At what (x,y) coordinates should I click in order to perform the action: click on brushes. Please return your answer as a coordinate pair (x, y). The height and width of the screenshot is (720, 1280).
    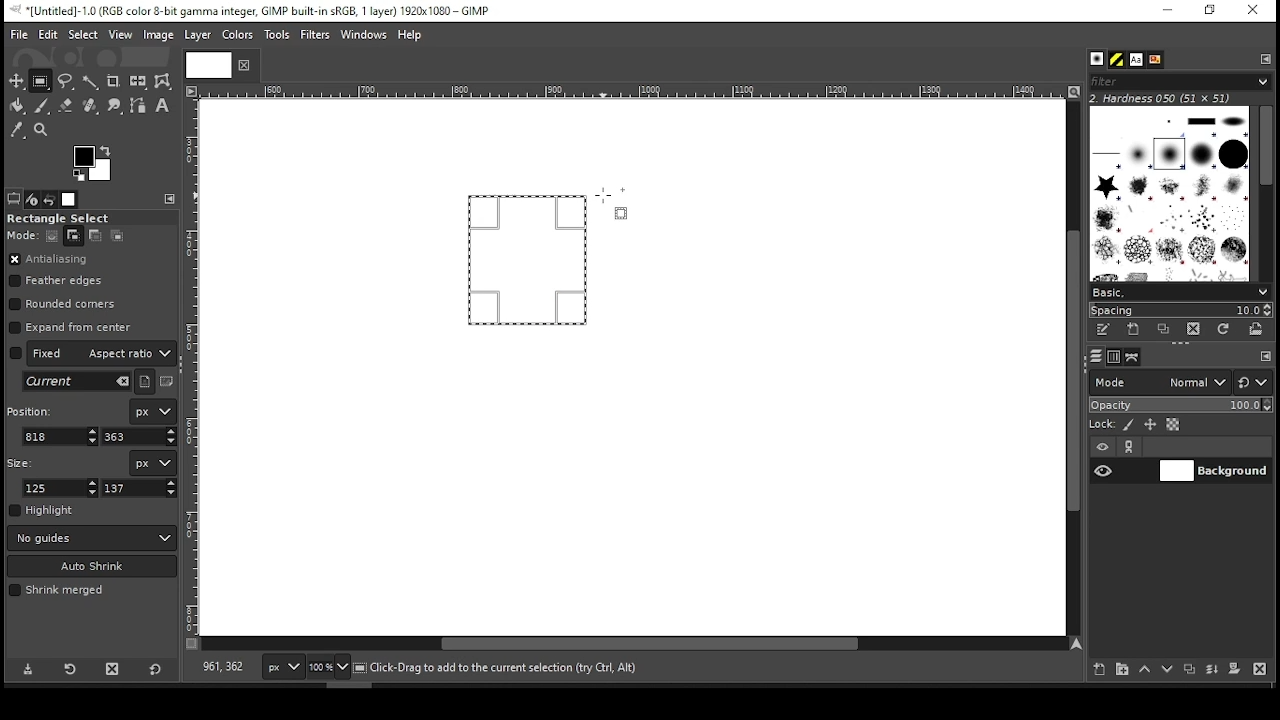
    Looking at the image, I should click on (1169, 193).